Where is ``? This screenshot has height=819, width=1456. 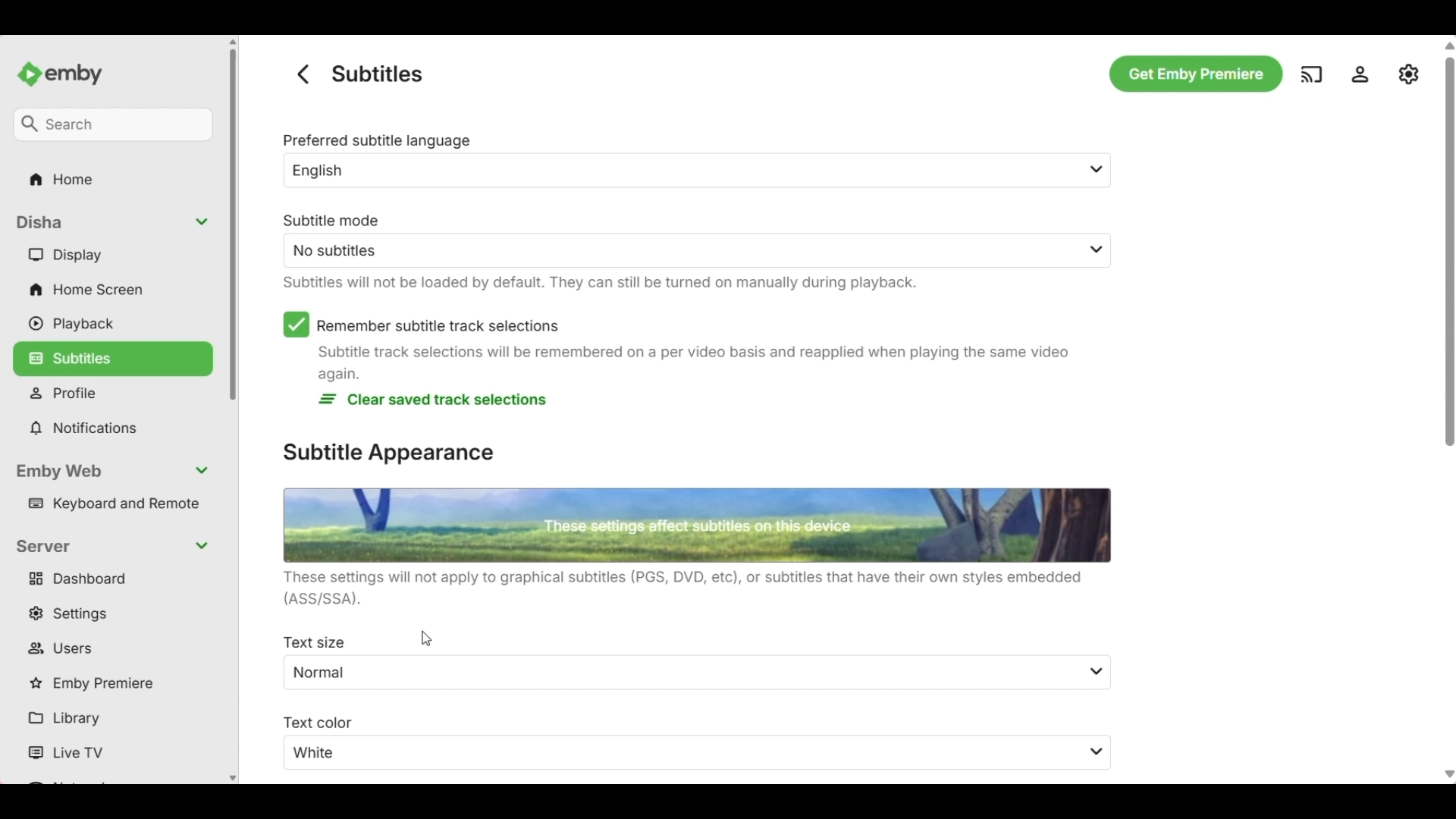  is located at coordinates (111, 122).